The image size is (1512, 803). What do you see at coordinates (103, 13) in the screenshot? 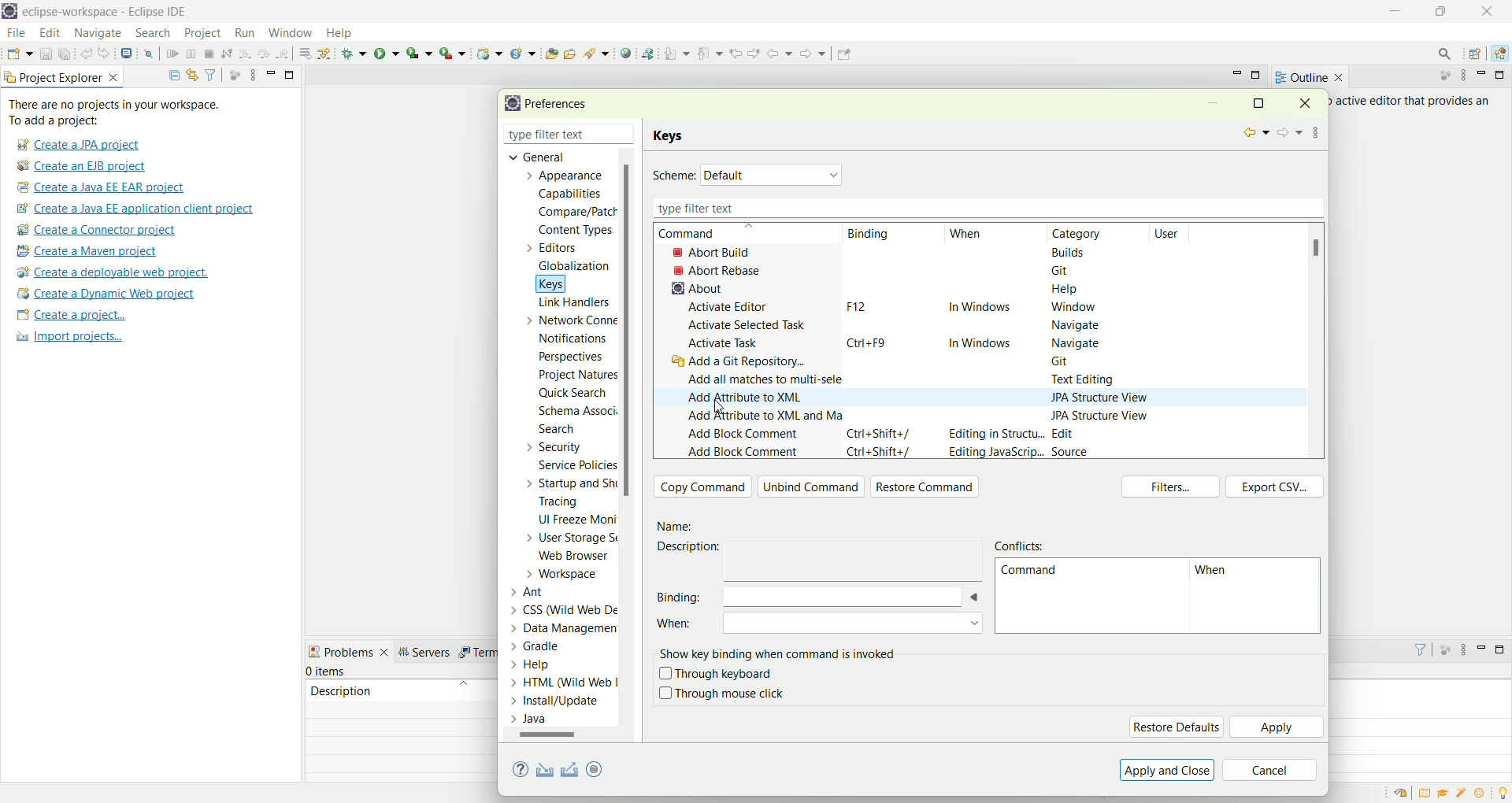
I see `eclipse-workspace-Eclipse IDE` at bounding box center [103, 13].